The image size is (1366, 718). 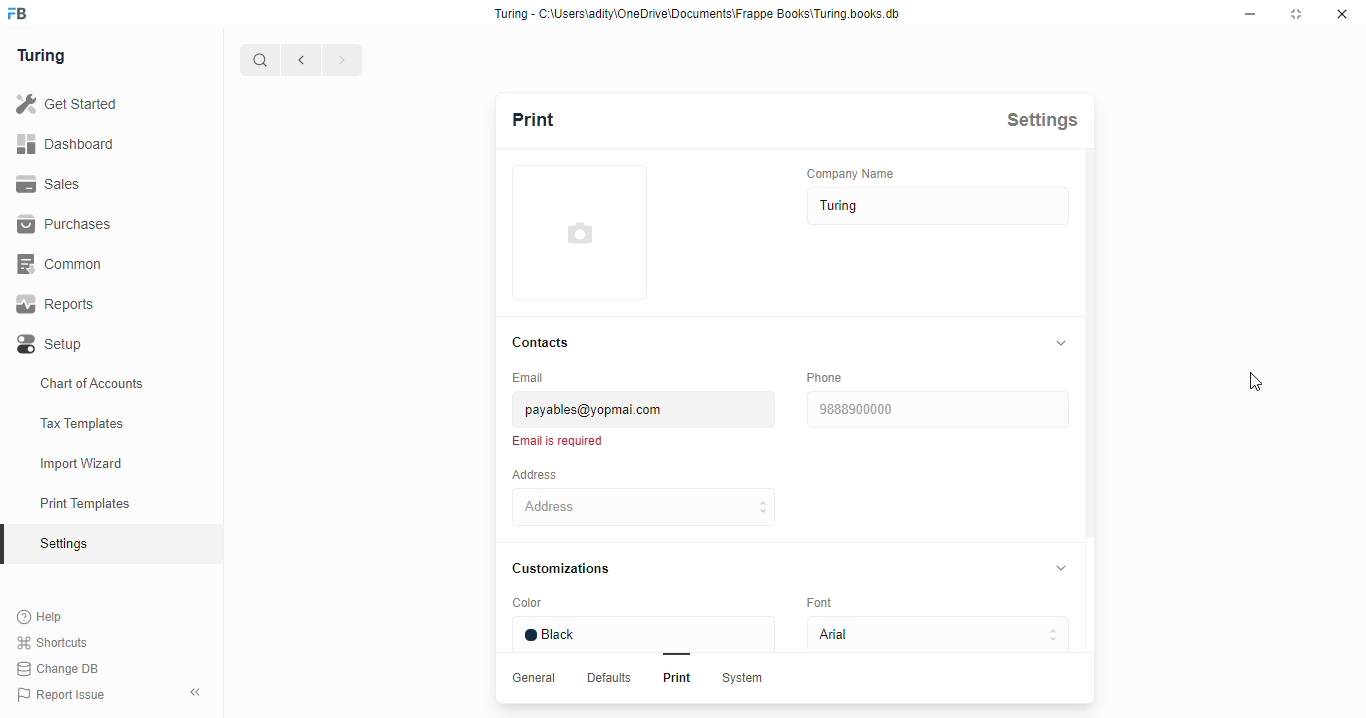 What do you see at coordinates (64, 224) in the screenshot?
I see `Purchases` at bounding box center [64, 224].